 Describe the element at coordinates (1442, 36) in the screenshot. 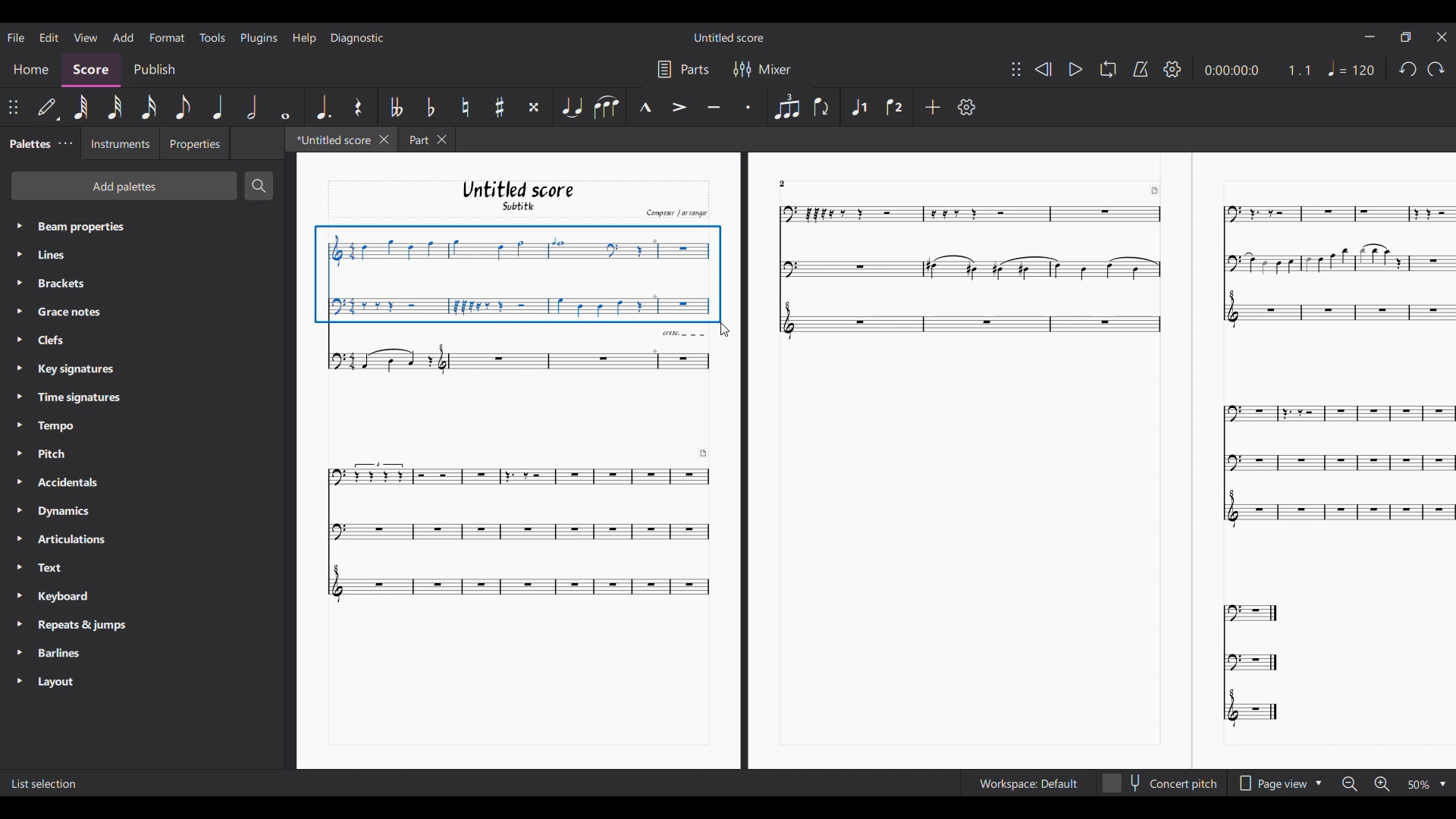

I see `Close ` at that location.